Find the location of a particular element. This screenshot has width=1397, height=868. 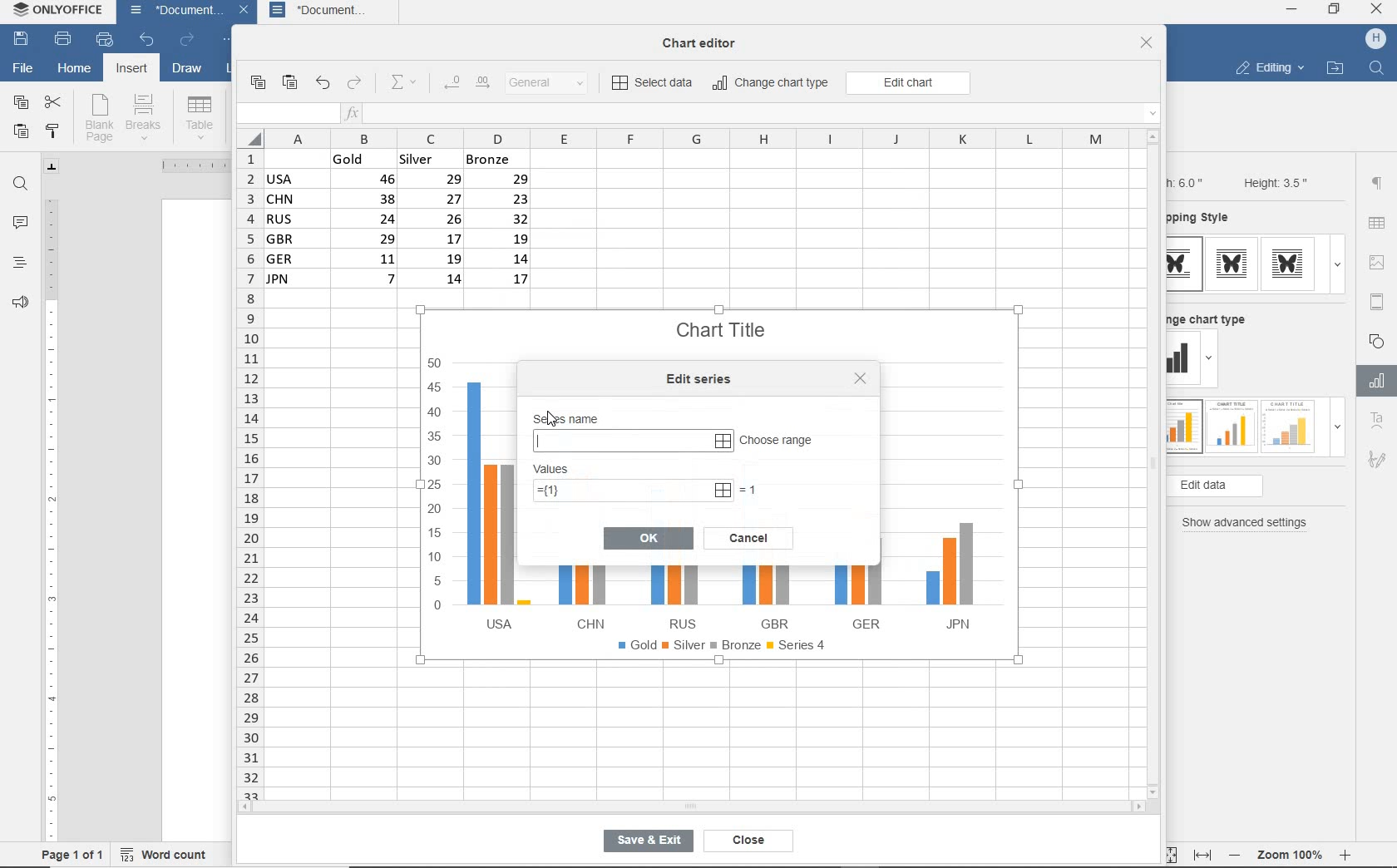

dropdown is located at coordinates (1337, 264).